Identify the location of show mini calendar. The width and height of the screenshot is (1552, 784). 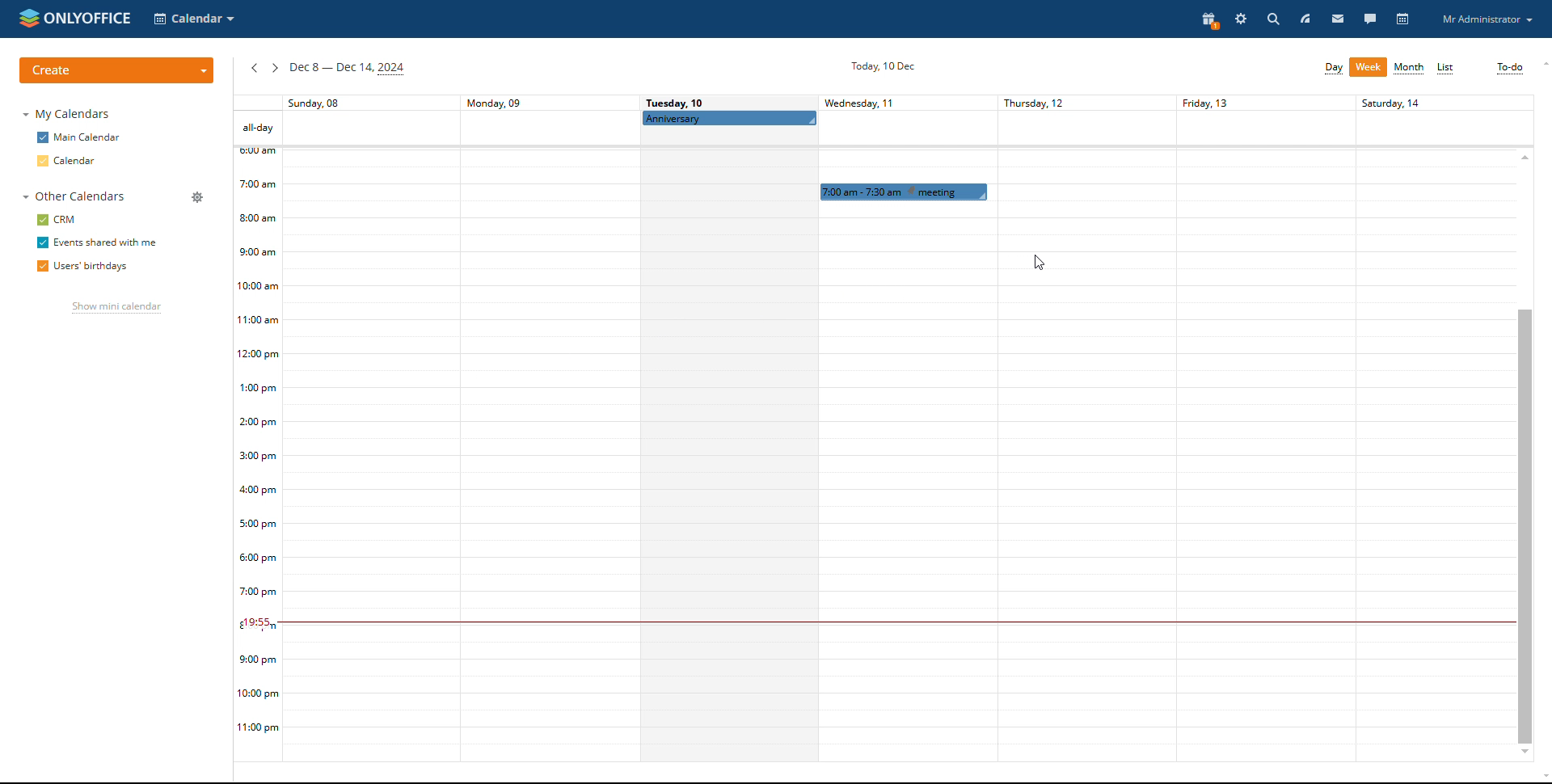
(113, 310).